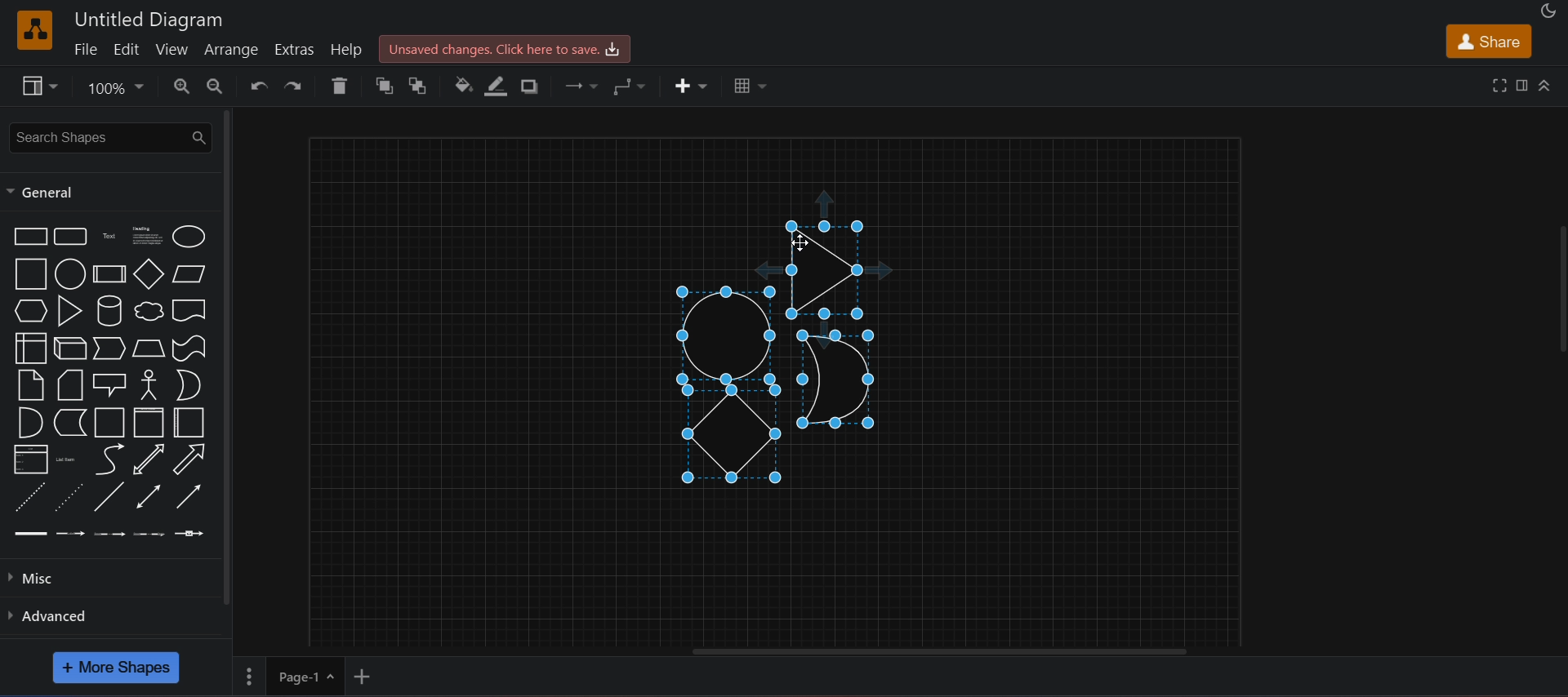 The image size is (1568, 697). What do you see at coordinates (30, 385) in the screenshot?
I see `notes` at bounding box center [30, 385].